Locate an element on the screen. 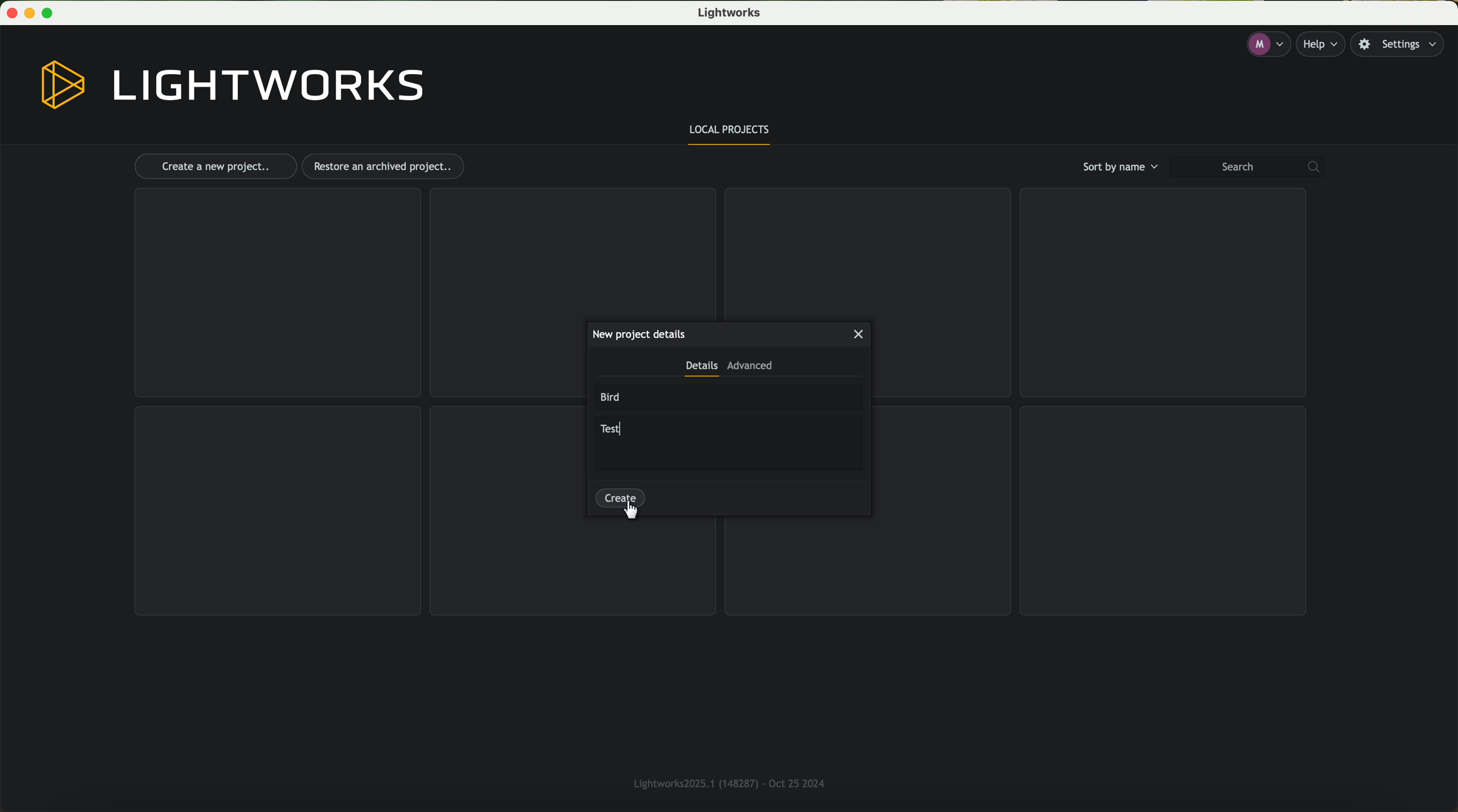 This screenshot has width=1458, height=812. create button is located at coordinates (620, 496).